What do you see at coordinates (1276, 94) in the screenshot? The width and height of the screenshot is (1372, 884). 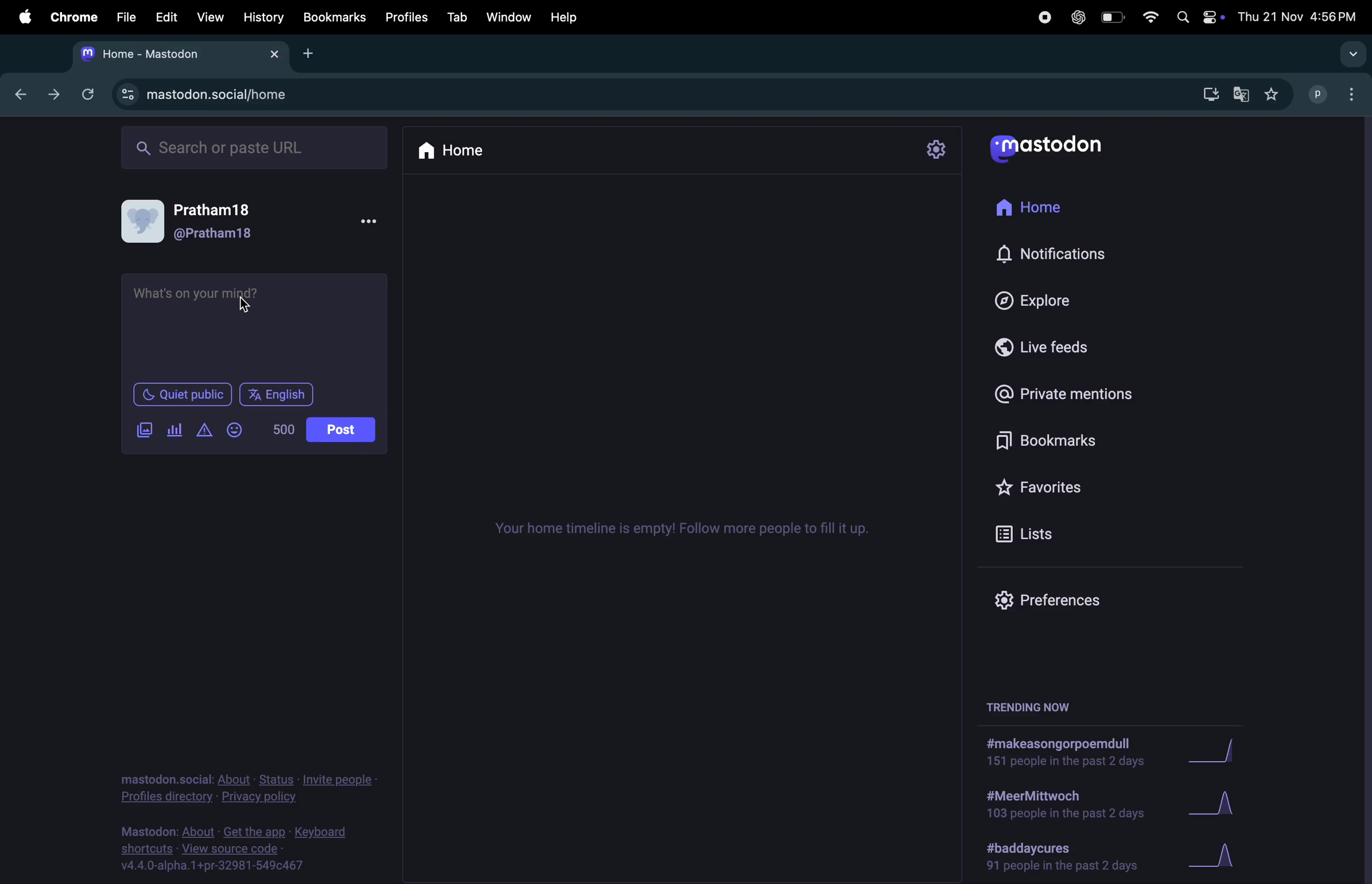 I see `favouited` at bounding box center [1276, 94].